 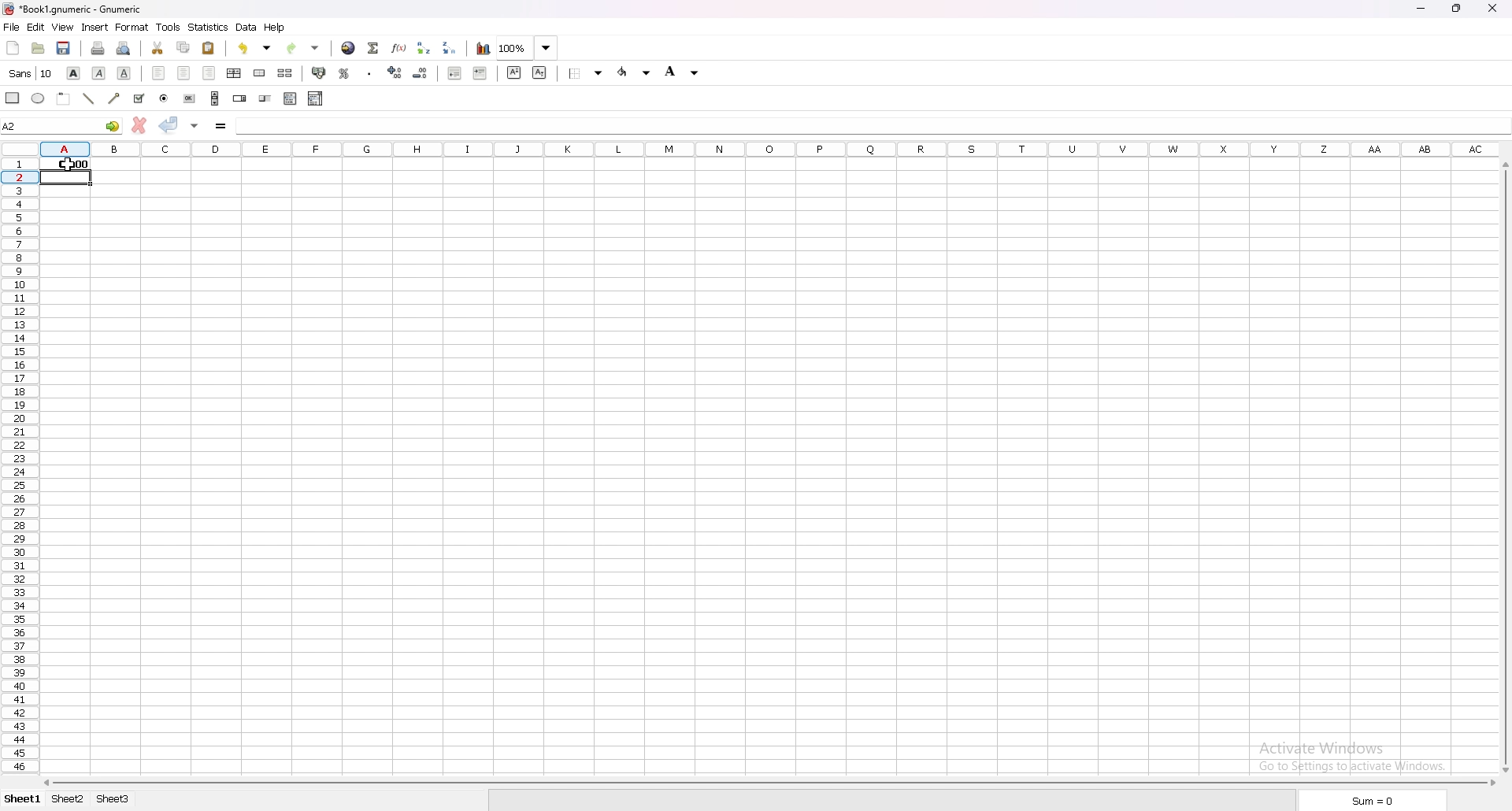 What do you see at coordinates (220, 125) in the screenshot?
I see `formula` at bounding box center [220, 125].